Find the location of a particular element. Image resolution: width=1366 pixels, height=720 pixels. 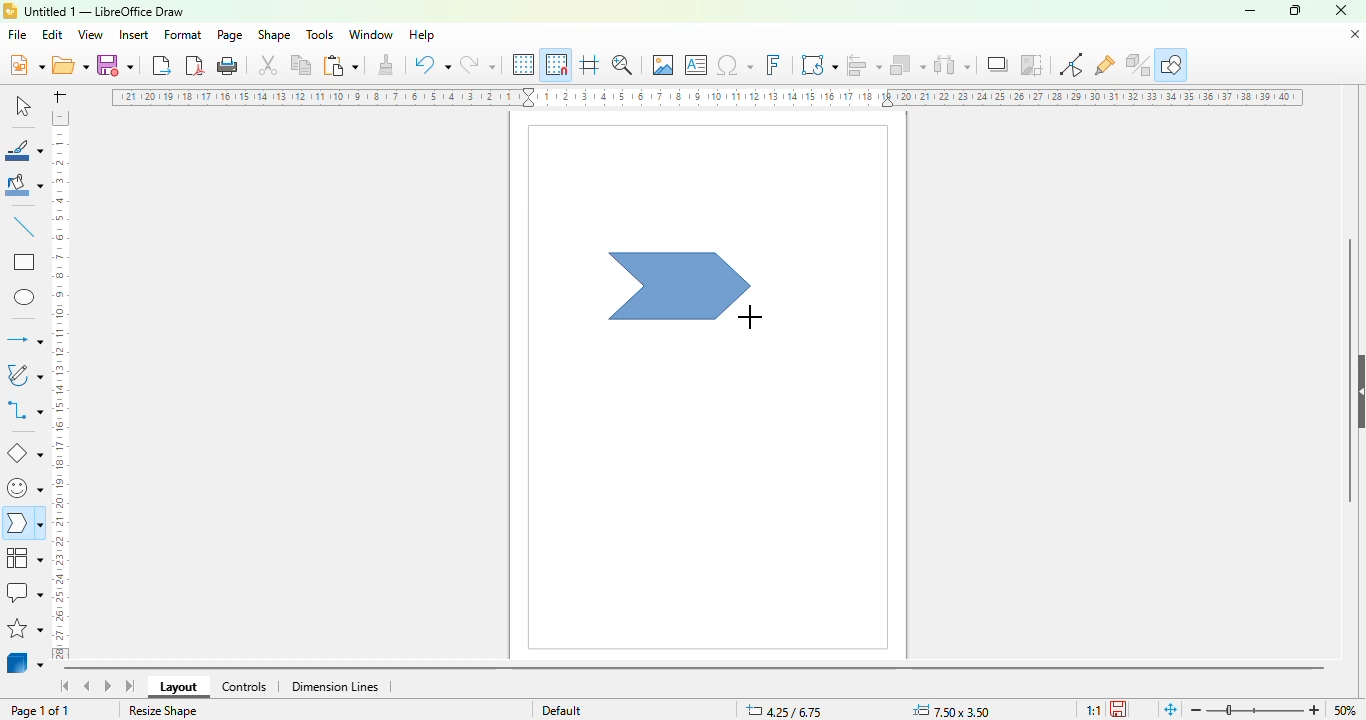

scroll to first sheet is located at coordinates (66, 686).